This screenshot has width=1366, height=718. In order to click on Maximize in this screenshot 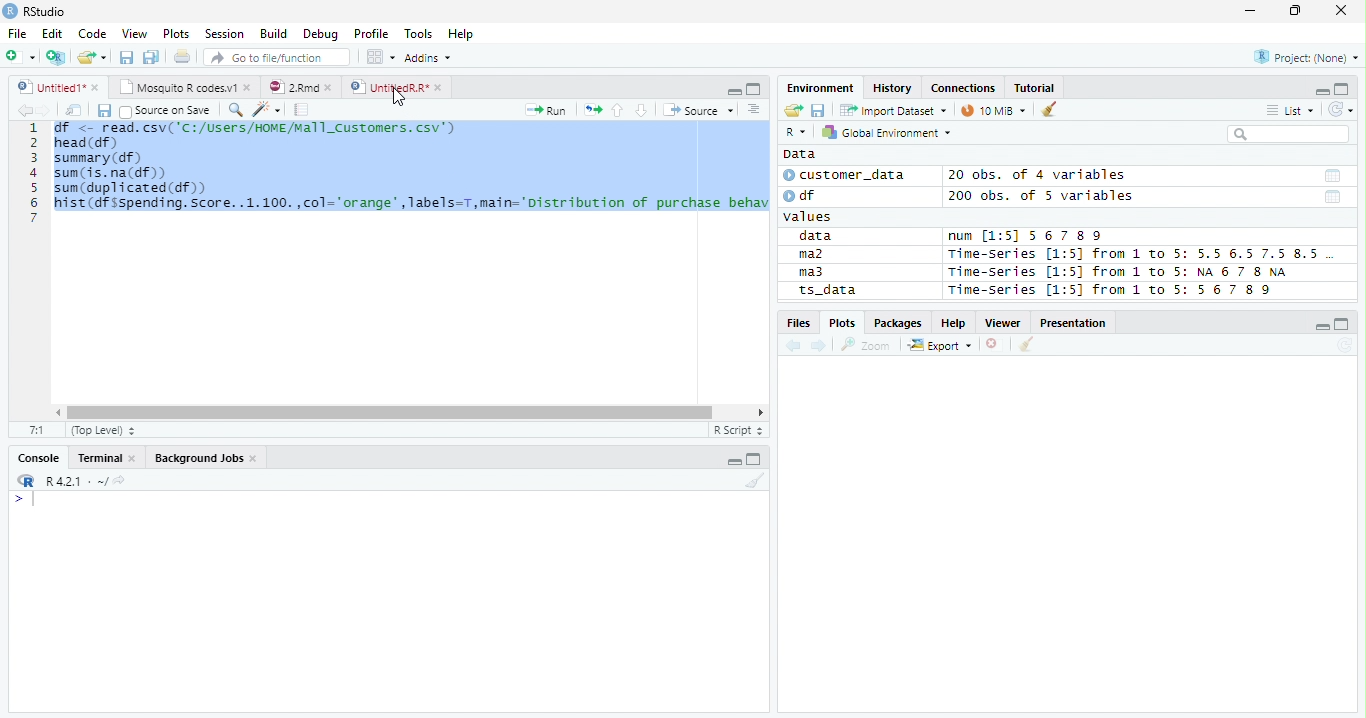, I will do `click(1343, 89)`.